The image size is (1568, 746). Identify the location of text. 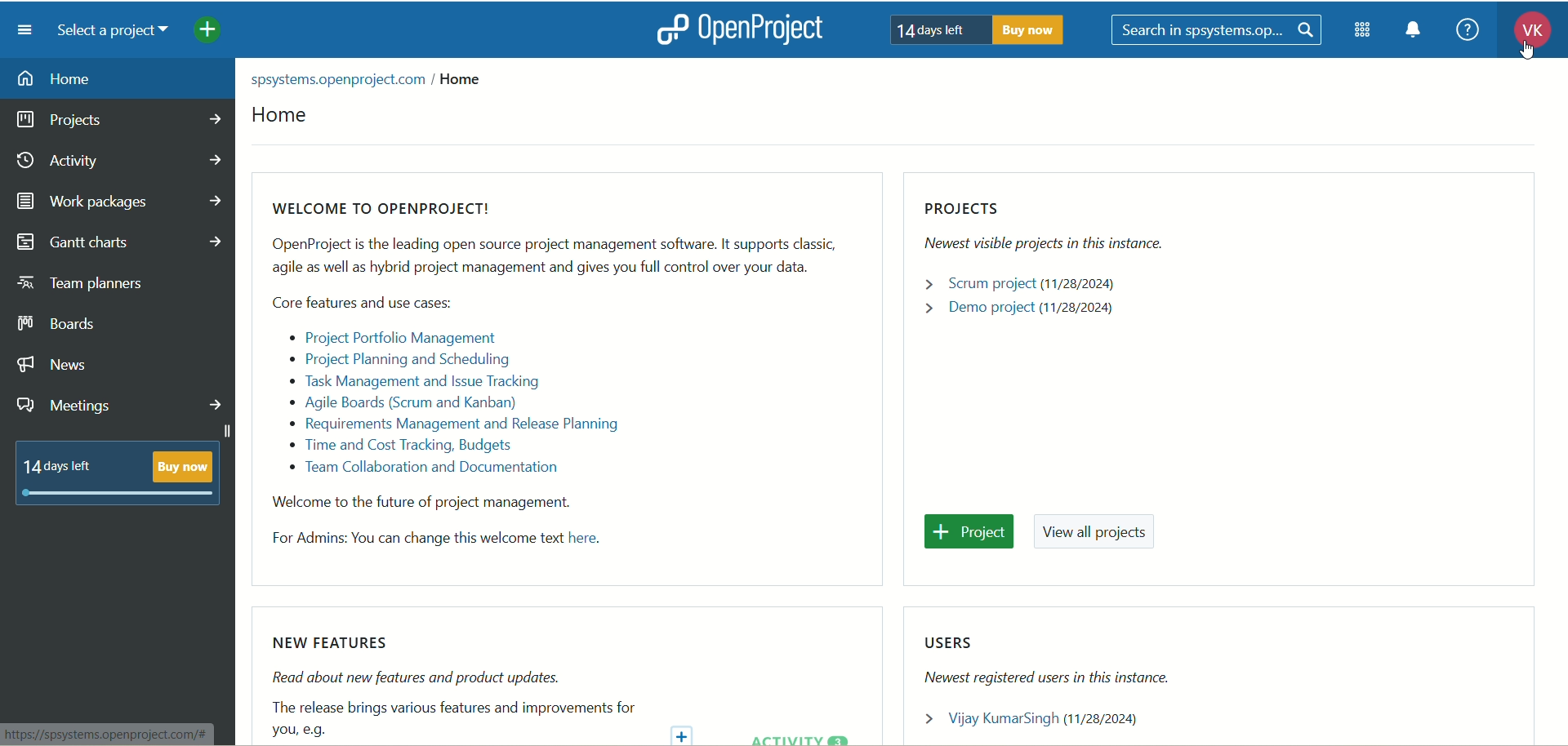
(118, 473).